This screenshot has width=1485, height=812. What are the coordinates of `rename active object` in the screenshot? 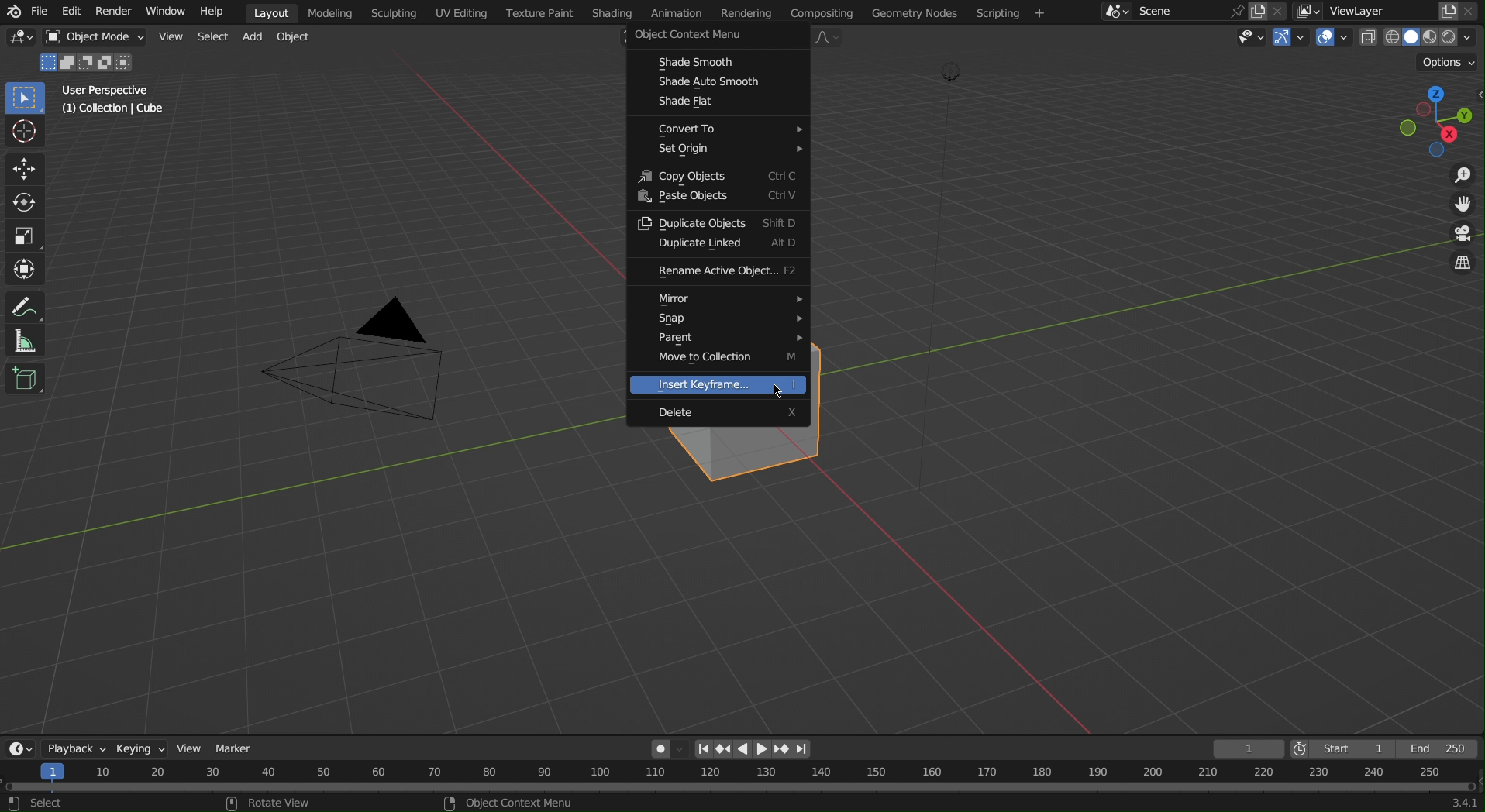 It's located at (722, 273).